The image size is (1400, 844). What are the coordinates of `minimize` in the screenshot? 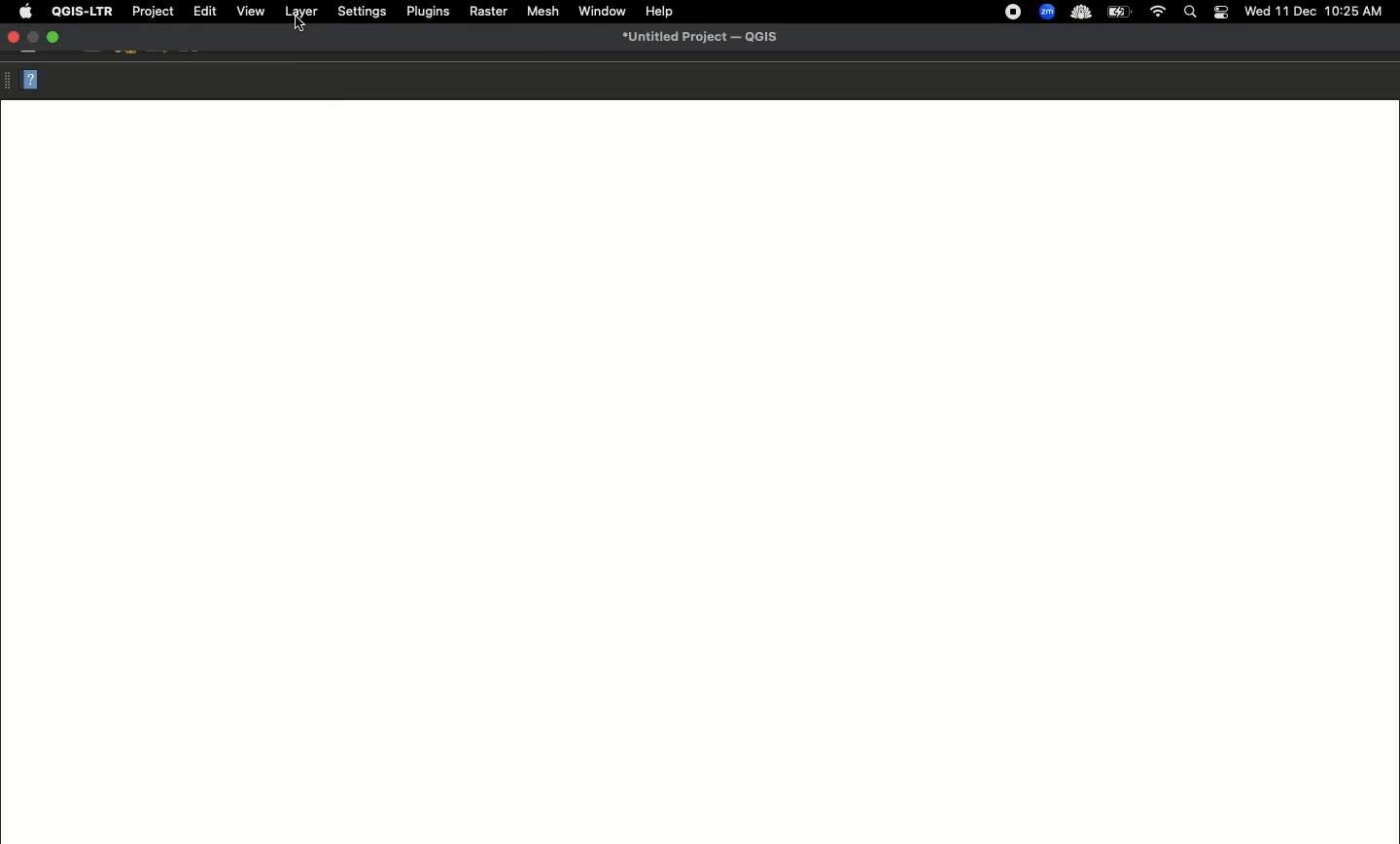 It's located at (31, 41).